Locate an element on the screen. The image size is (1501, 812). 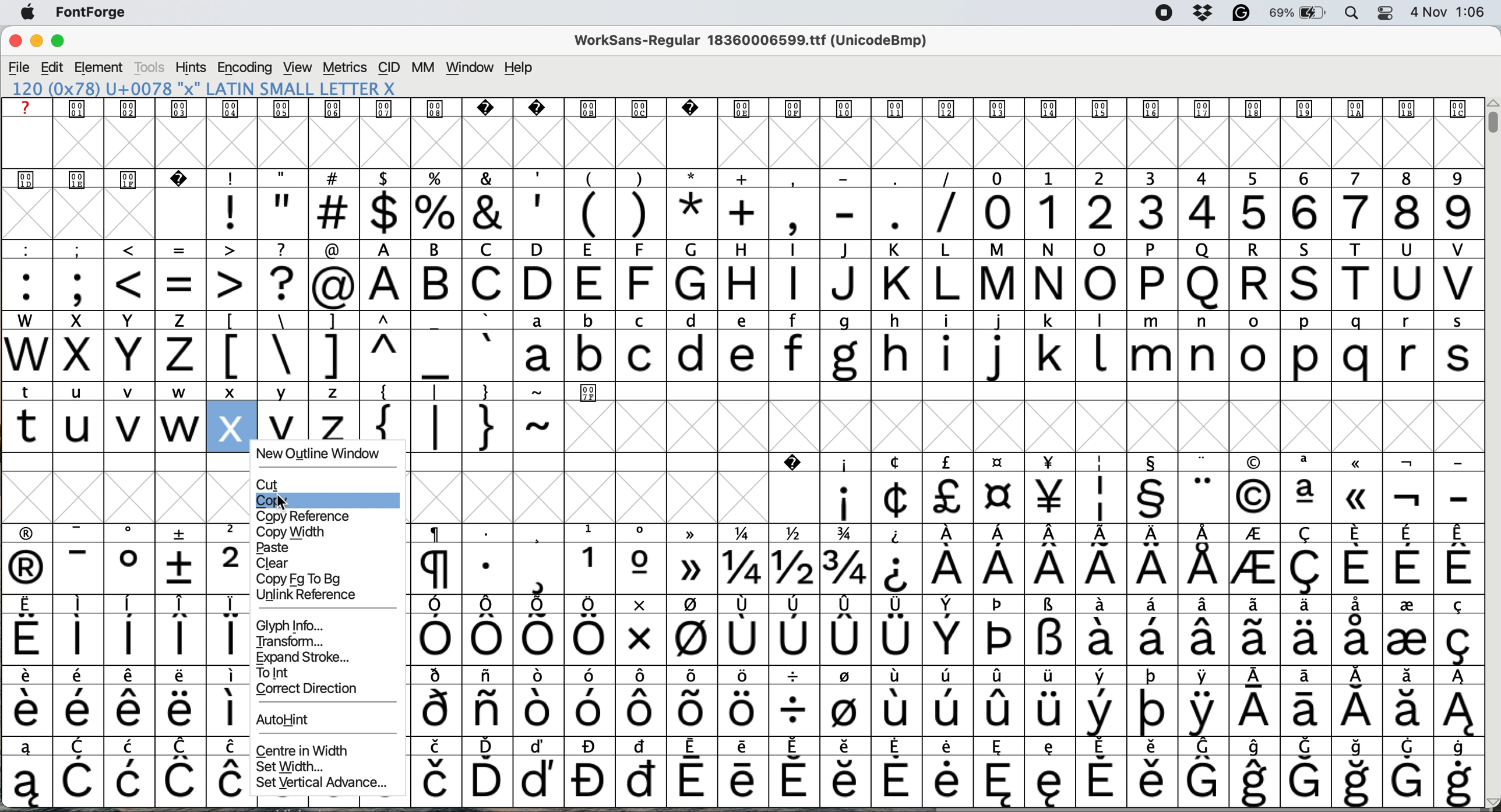
file is located at coordinates (19, 66).